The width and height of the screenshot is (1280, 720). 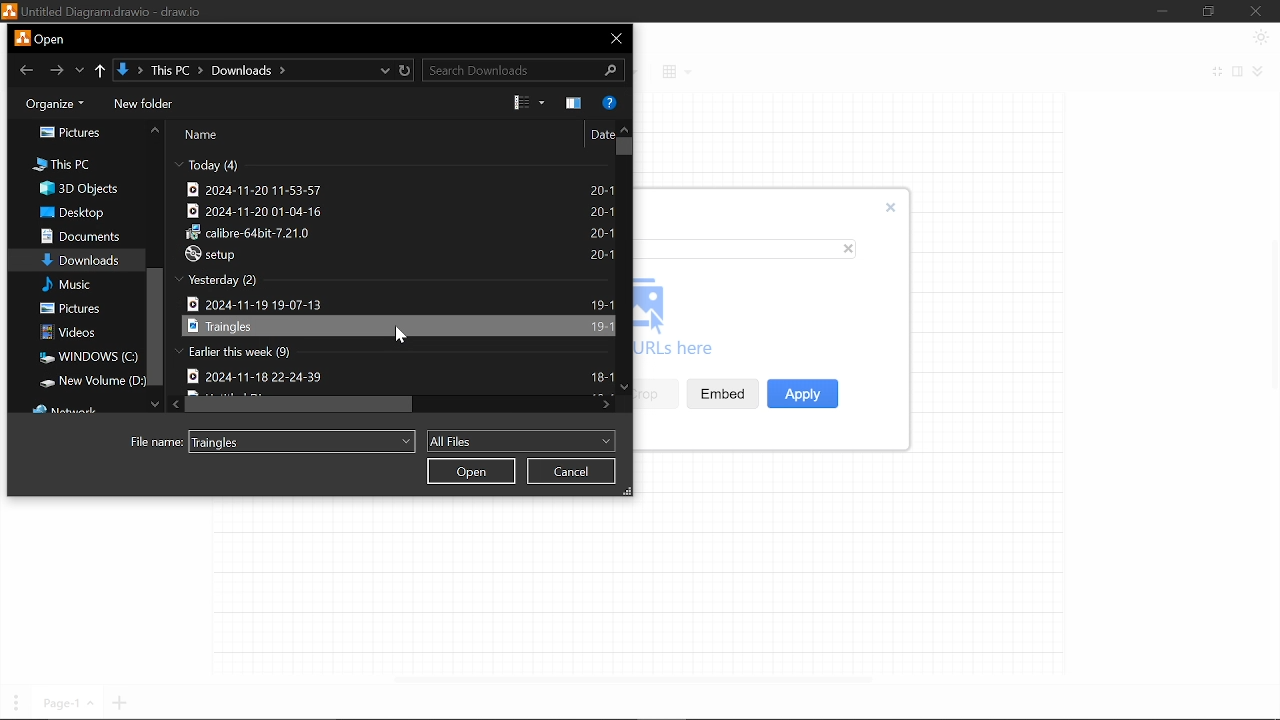 I want to click on Cancel, so click(x=573, y=470).